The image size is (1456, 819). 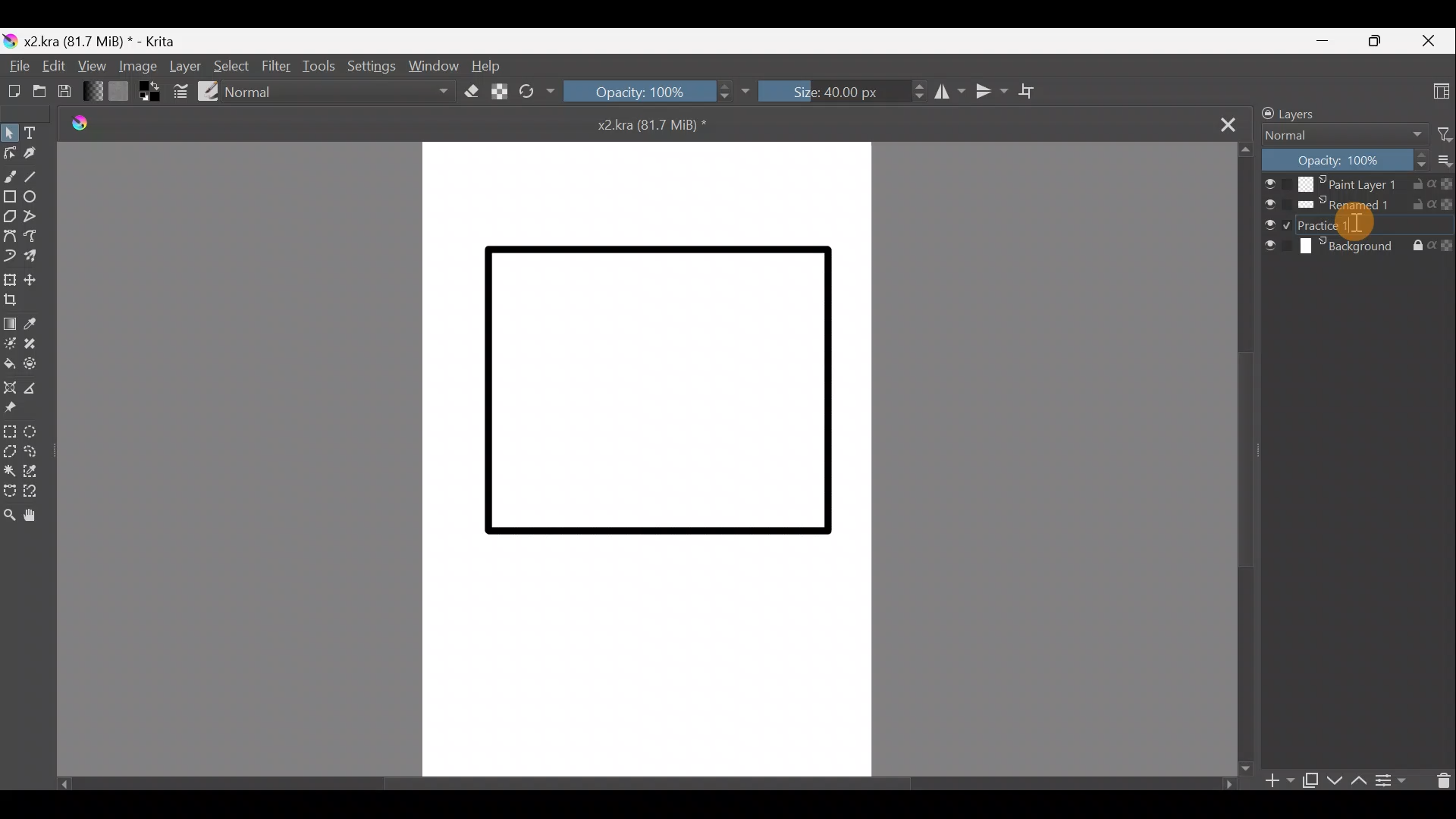 What do you see at coordinates (1357, 249) in the screenshot?
I see `Background` at bounding box center [1357, 249].